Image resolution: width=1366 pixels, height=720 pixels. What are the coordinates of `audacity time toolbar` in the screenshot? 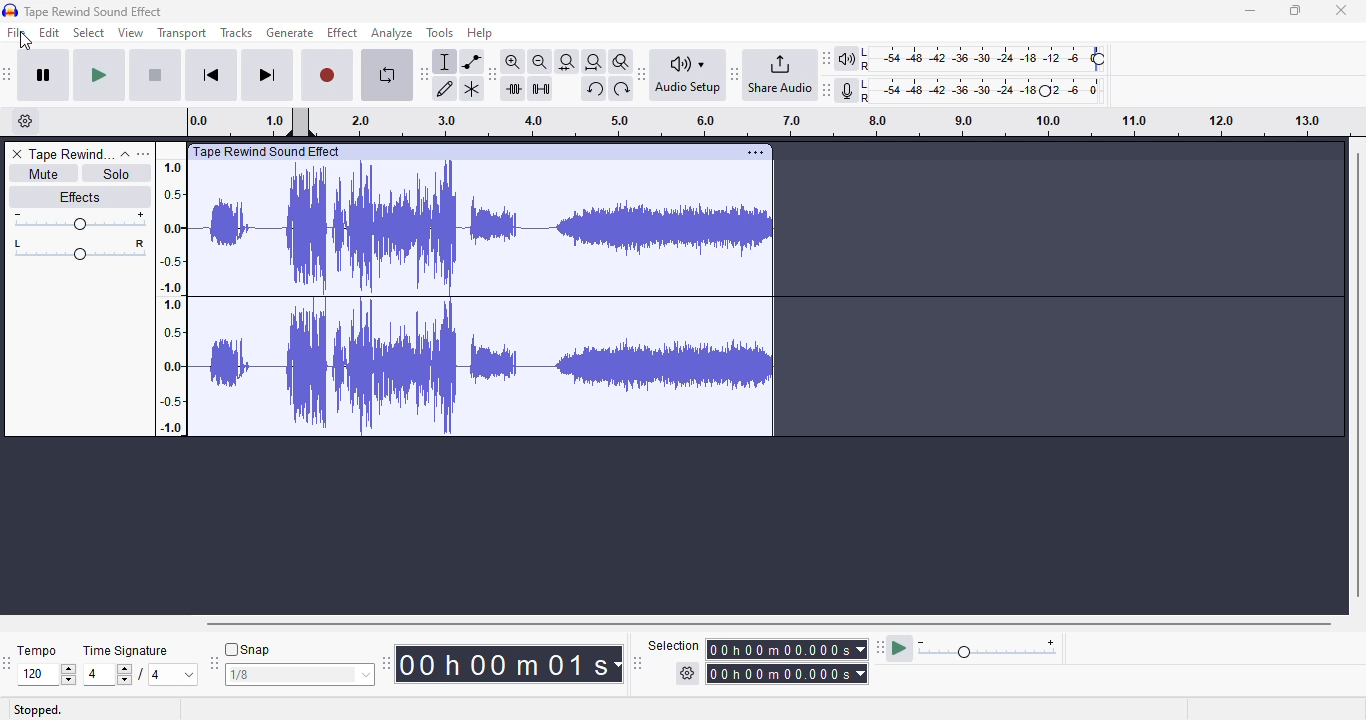 It's located at (504, 664).